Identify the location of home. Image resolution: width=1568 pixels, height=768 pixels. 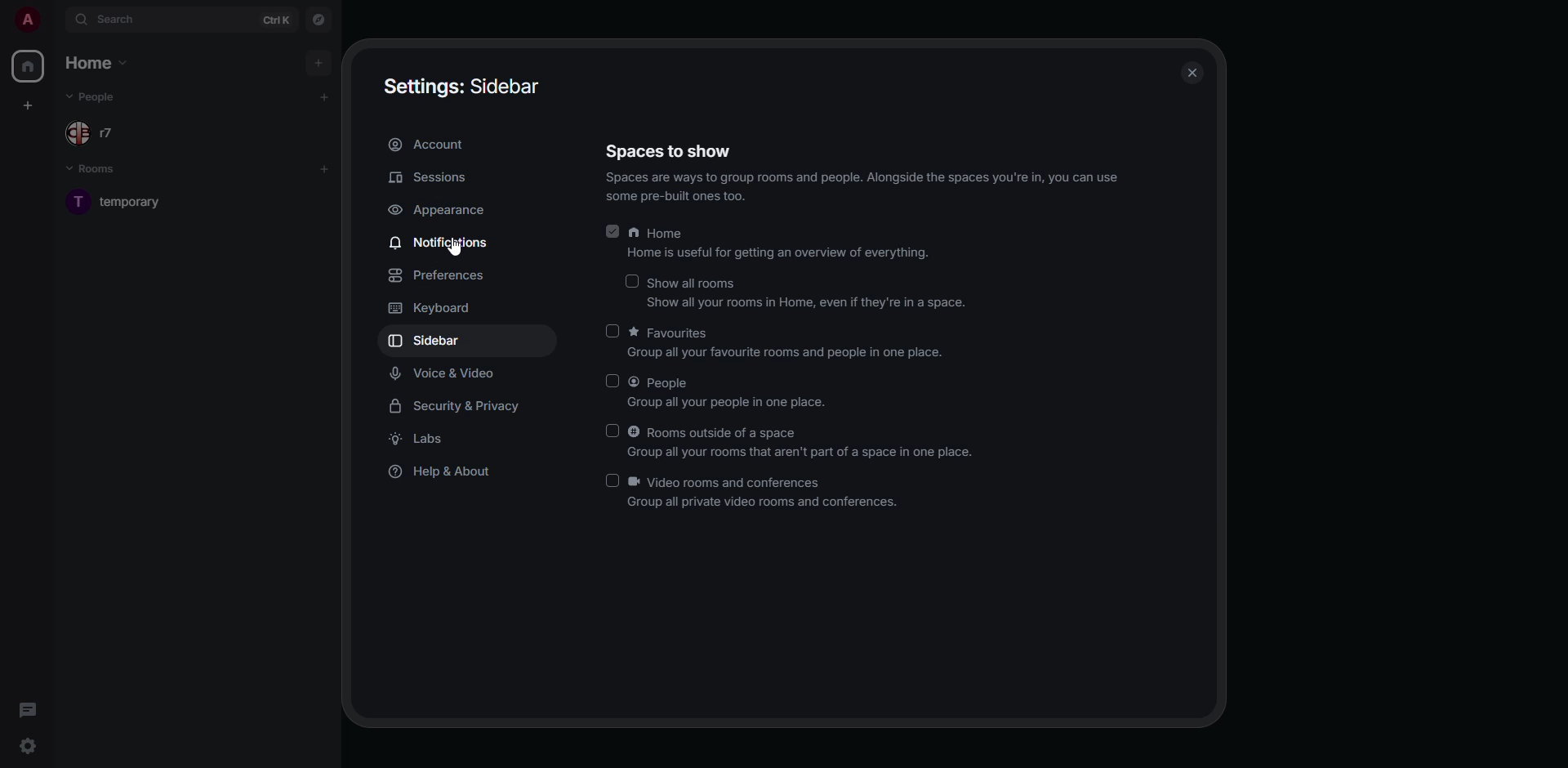
(31, 67).